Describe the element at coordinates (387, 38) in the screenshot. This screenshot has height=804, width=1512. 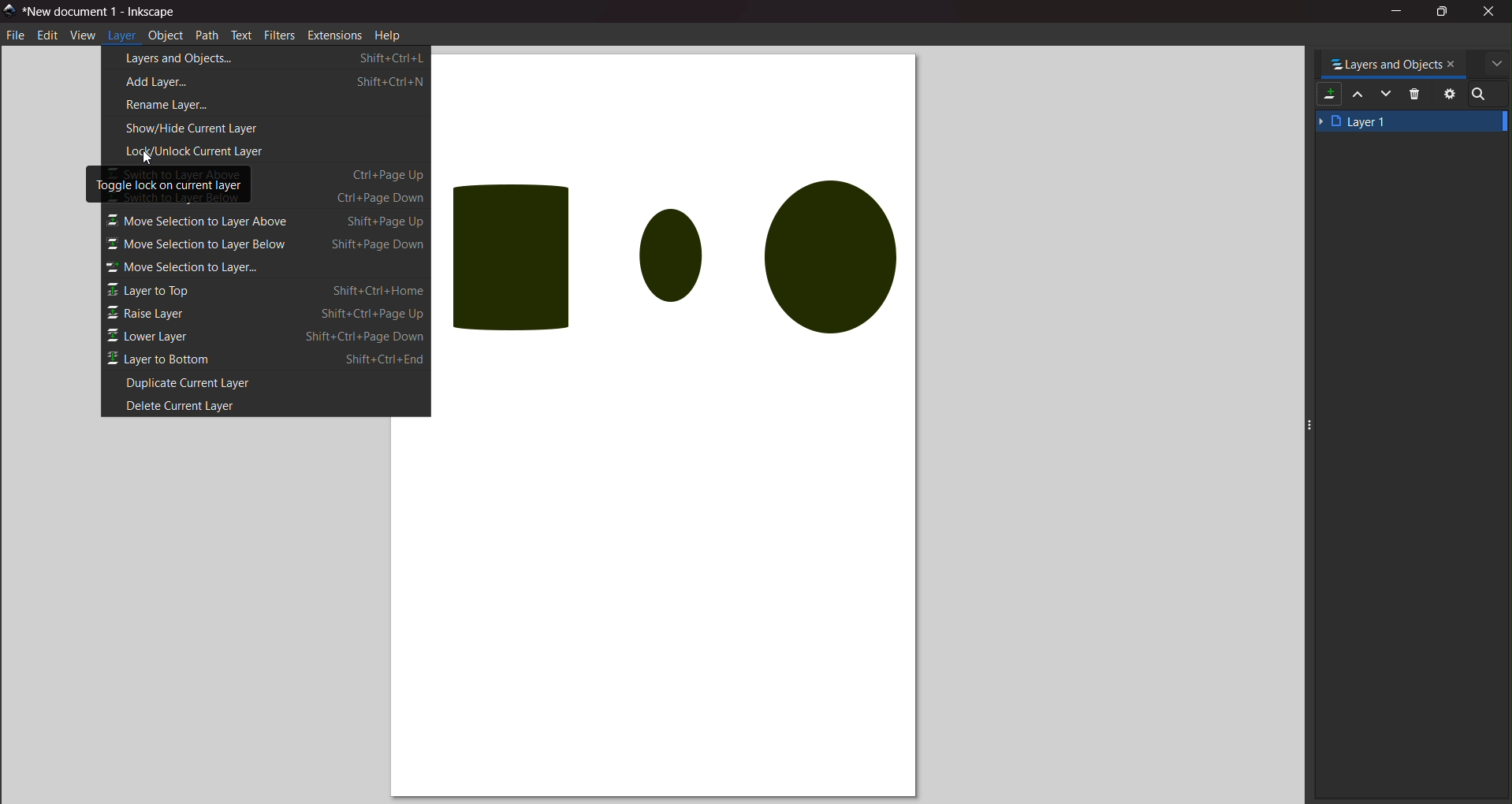
I see `help` at that location.